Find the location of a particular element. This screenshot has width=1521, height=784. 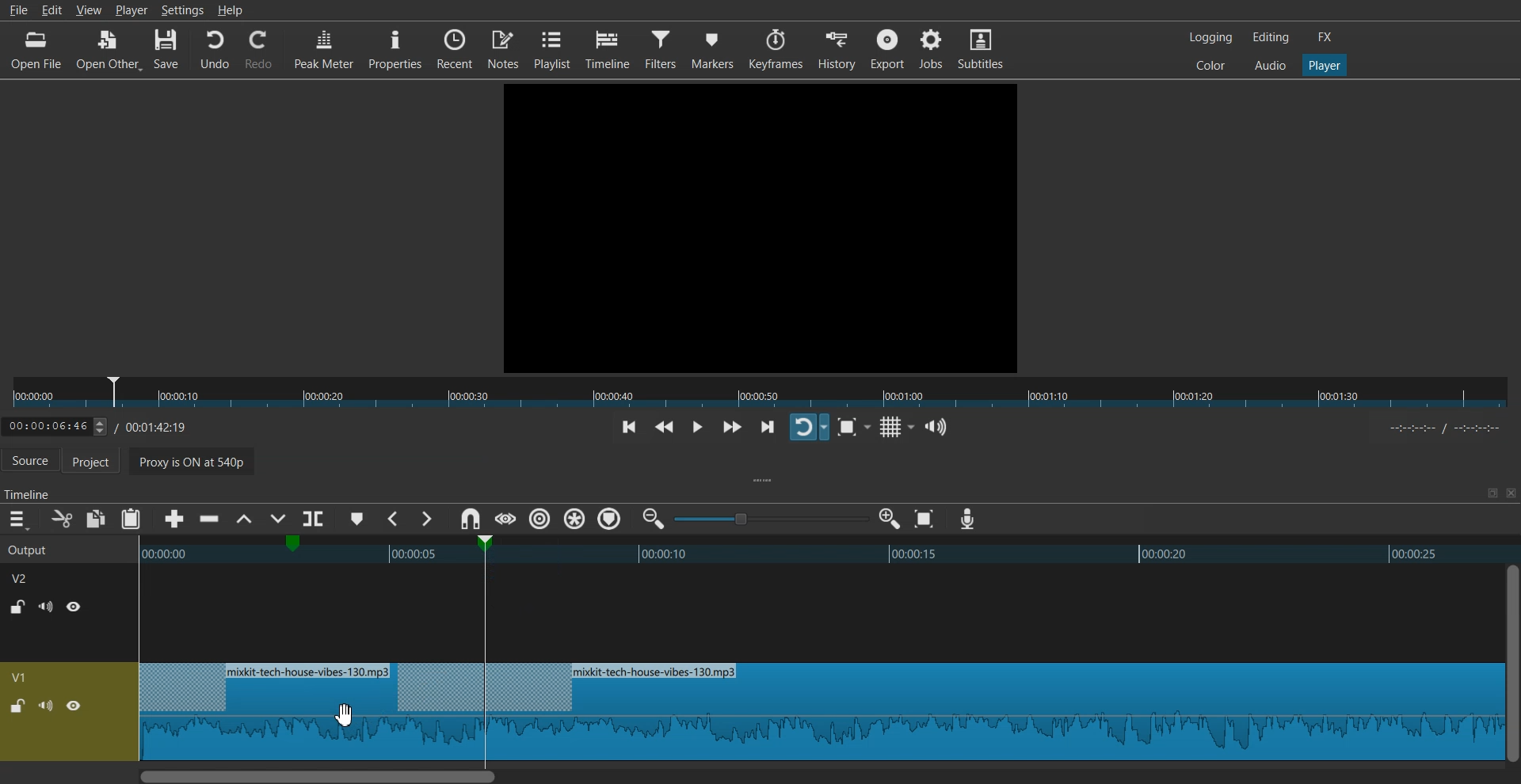

Audio is located at coordinates (1270, 64).